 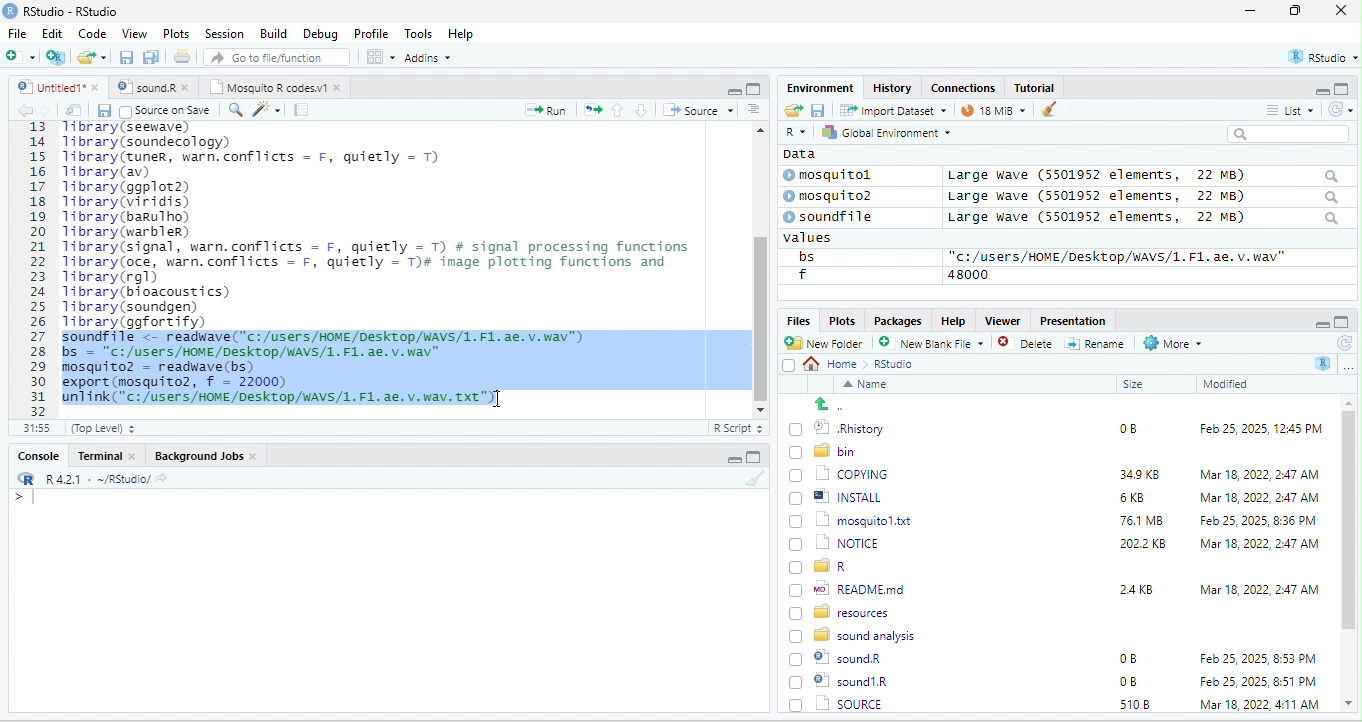 I want to click on Apr 26, 2022, 1:00 PM, so click(x=1260, y=706).